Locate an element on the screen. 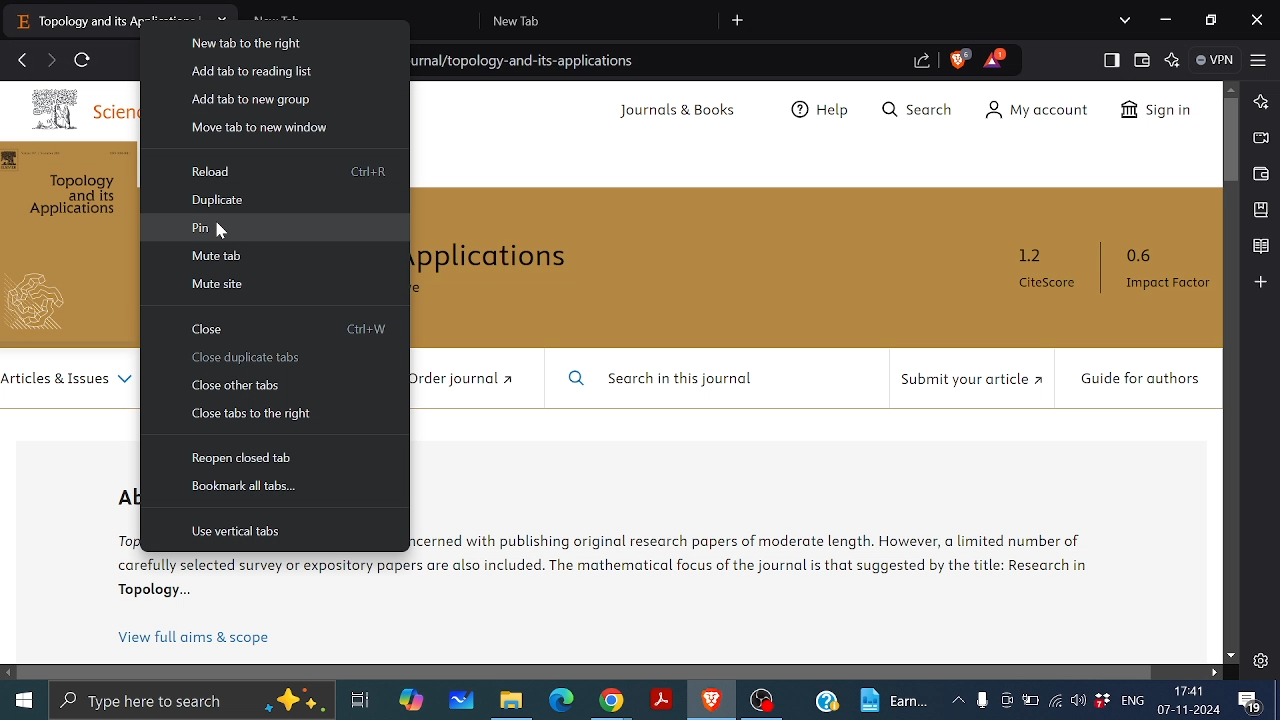 Image resolution: width=1280 pixels, height=720 pixels. Add tab to reading list is located at coordinates (258, 71).